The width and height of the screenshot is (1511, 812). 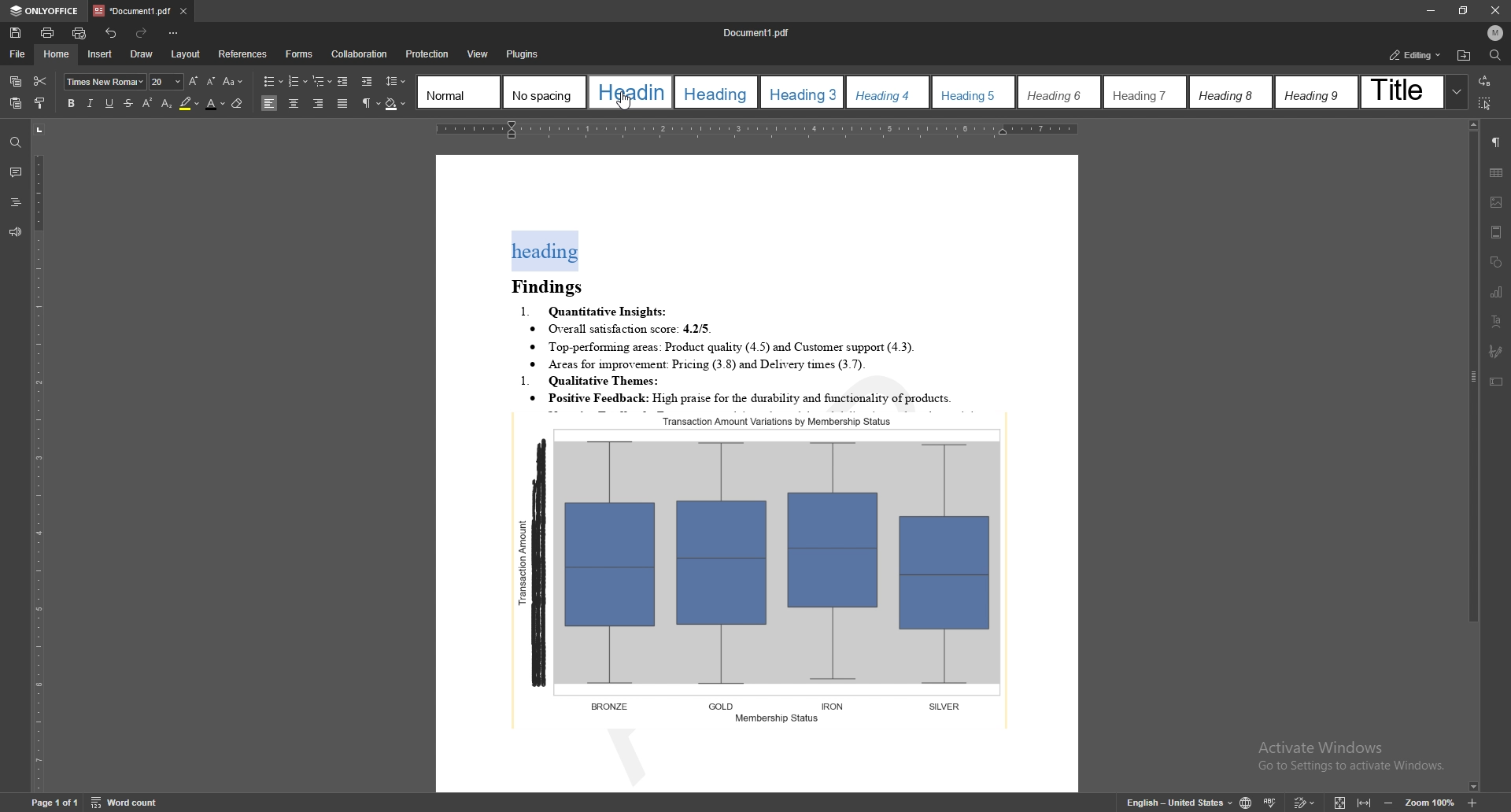 I want to click on paste, so click(x=16, y=103).